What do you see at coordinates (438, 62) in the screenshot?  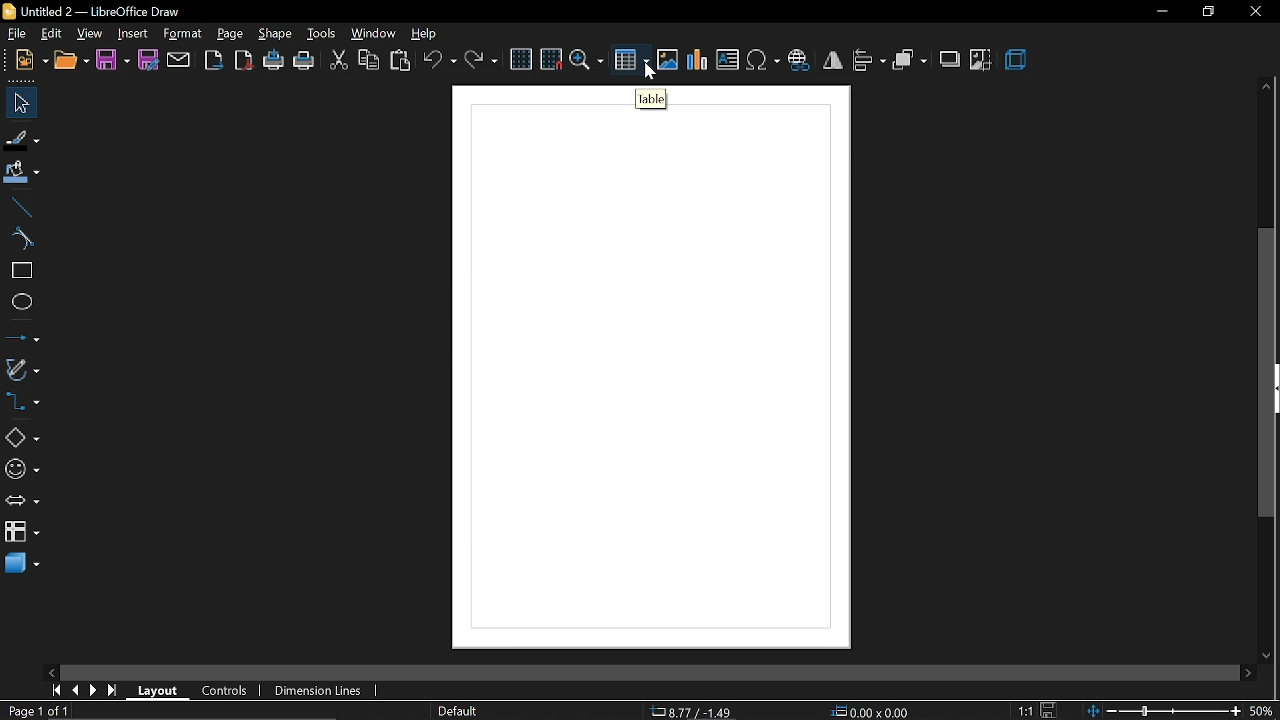 I see `undo` at bounding box center [438, 62].